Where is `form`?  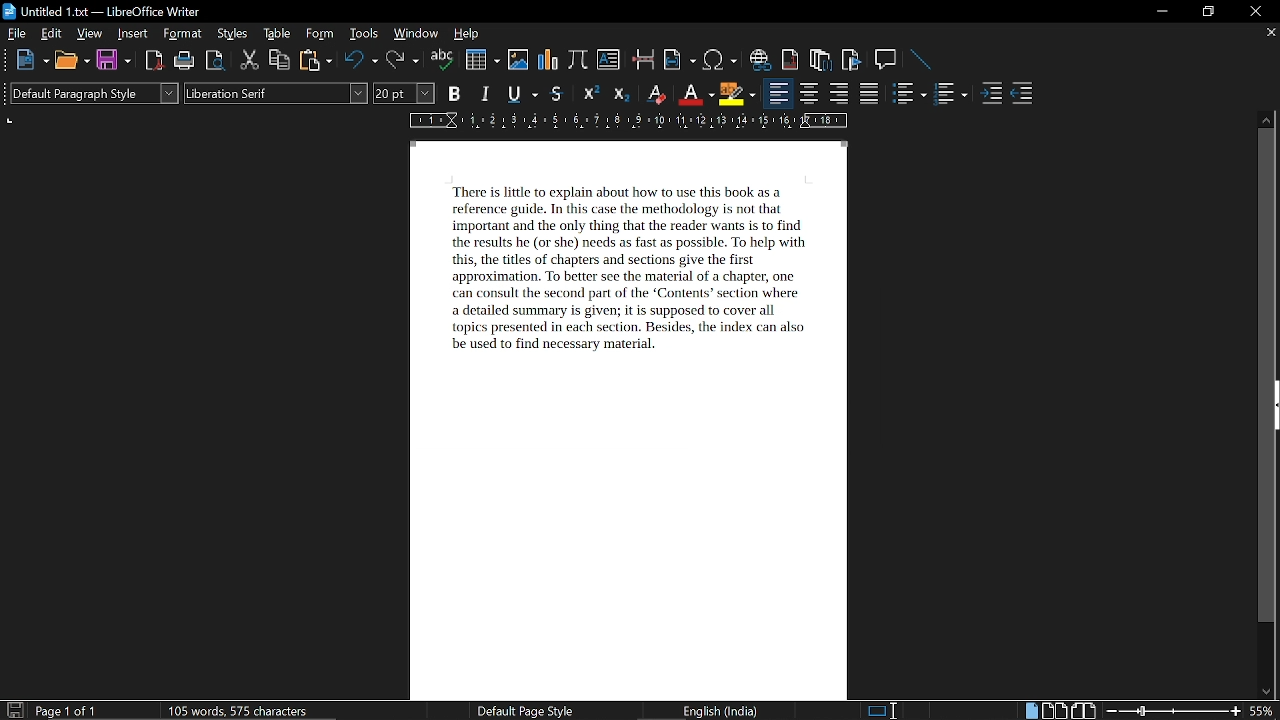 form is located at coordinates (321, 33).